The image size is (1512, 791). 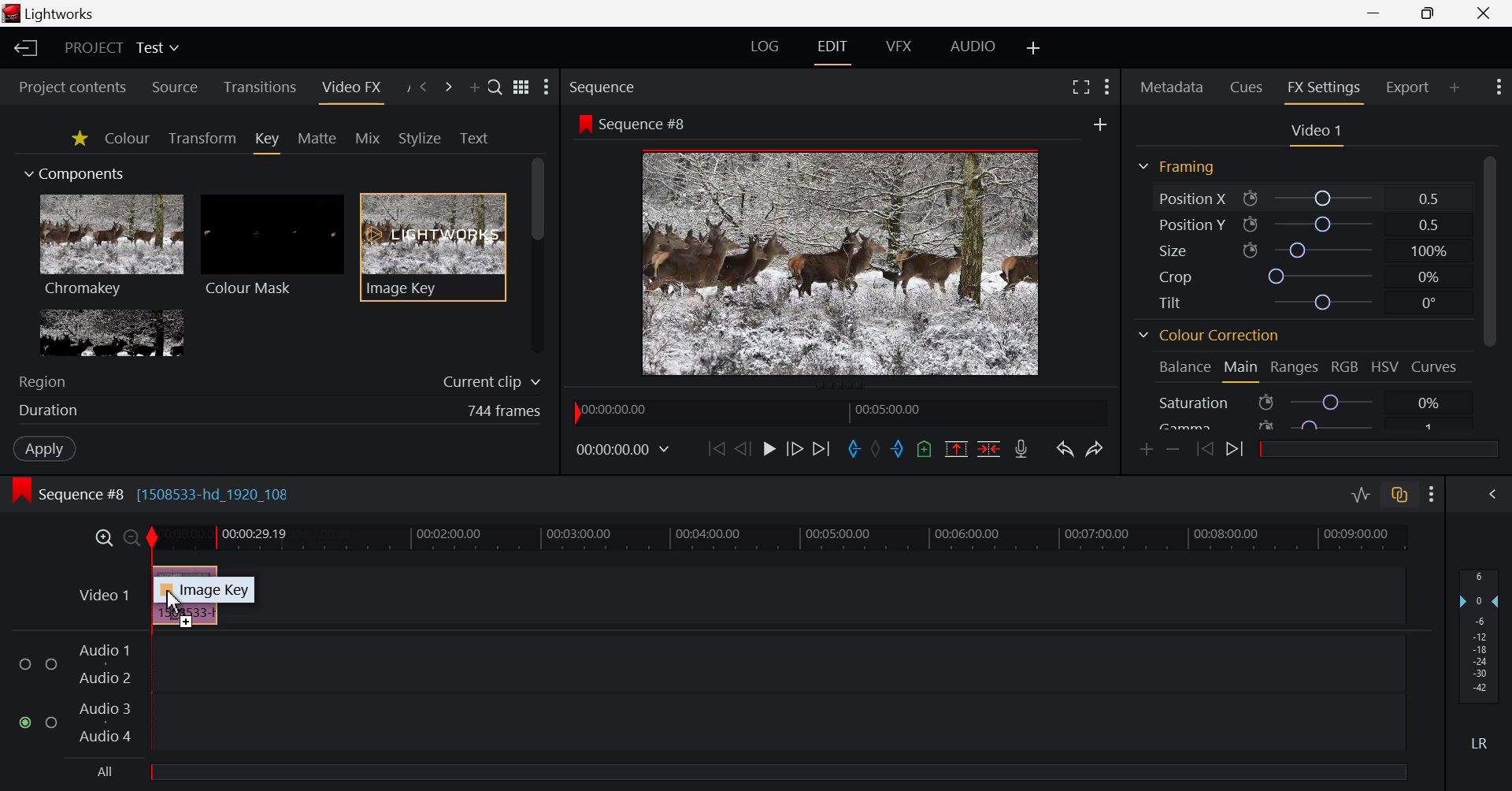 What do you see at coordinates (1080, 87) in the screenshot?
I see `Full Screen` at bounding box center [1080, 87].